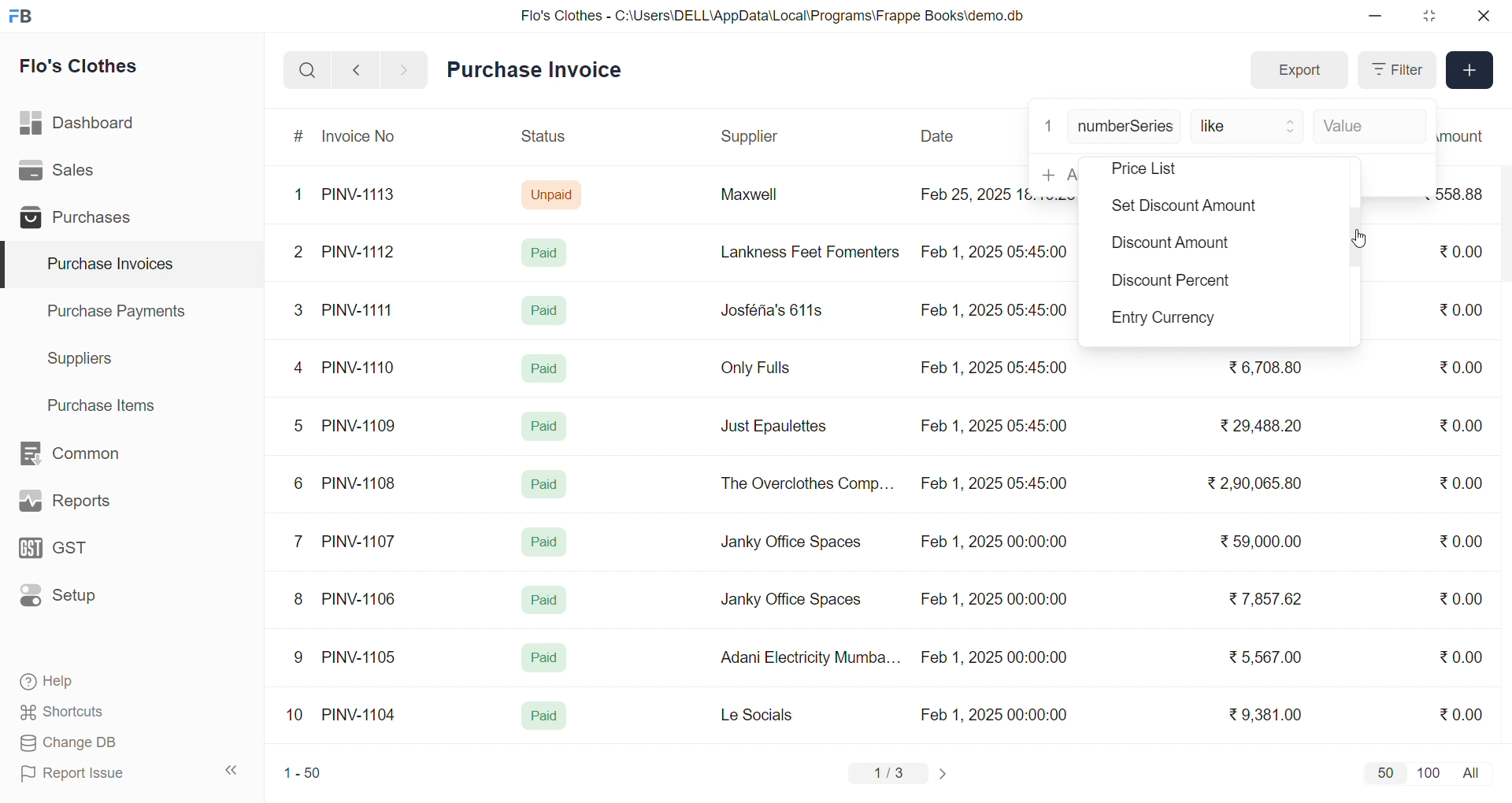 This screenshot has height=803, width=1512. I want to click on Unpaid, so click(554, 194).